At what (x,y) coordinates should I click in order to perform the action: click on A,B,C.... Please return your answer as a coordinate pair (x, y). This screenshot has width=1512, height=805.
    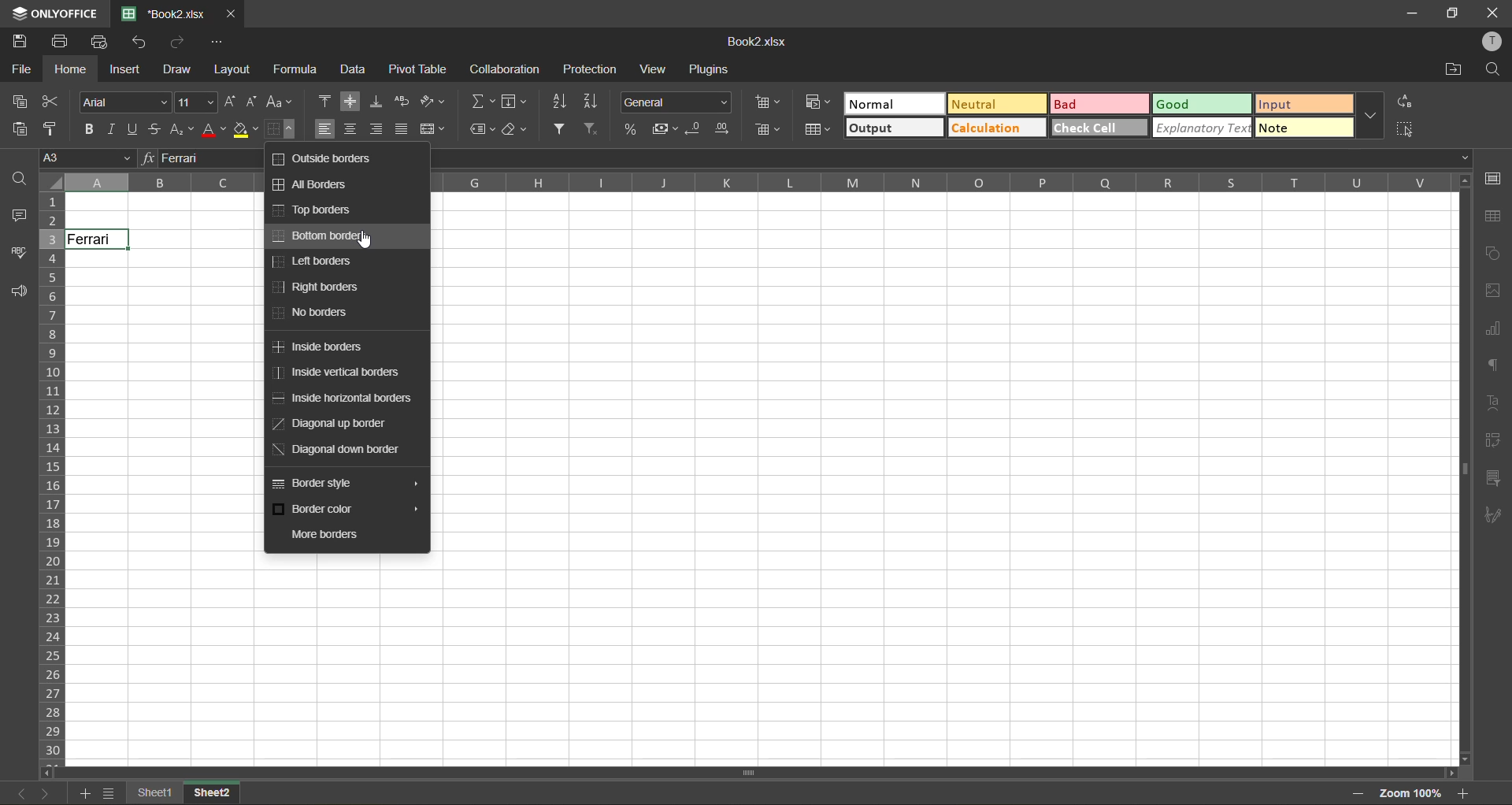
    Looking at the image, I should click on (151, 180).